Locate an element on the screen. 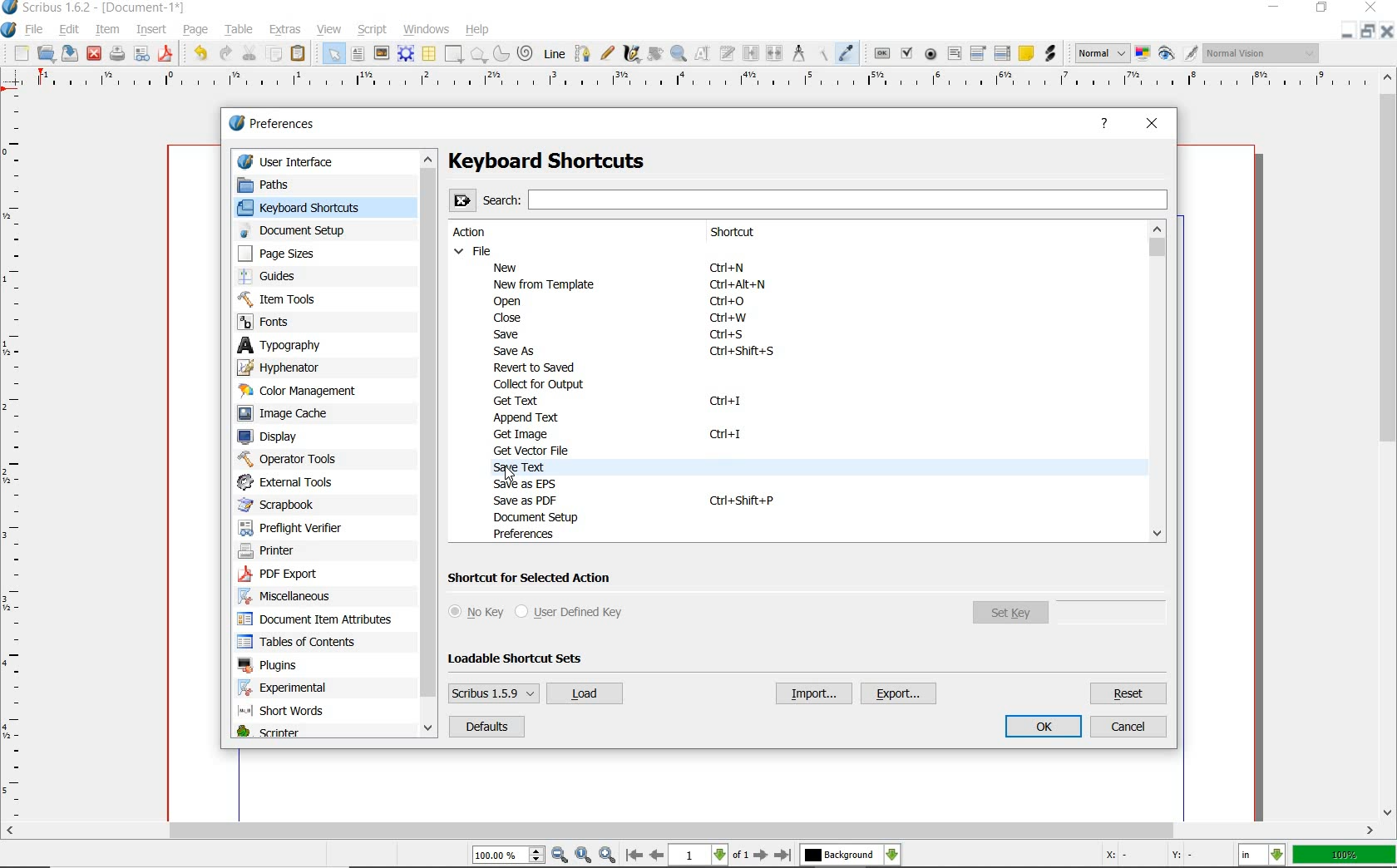 The width and height of the screenshot is (1397, 868). select is located at coordinates (335, 57).